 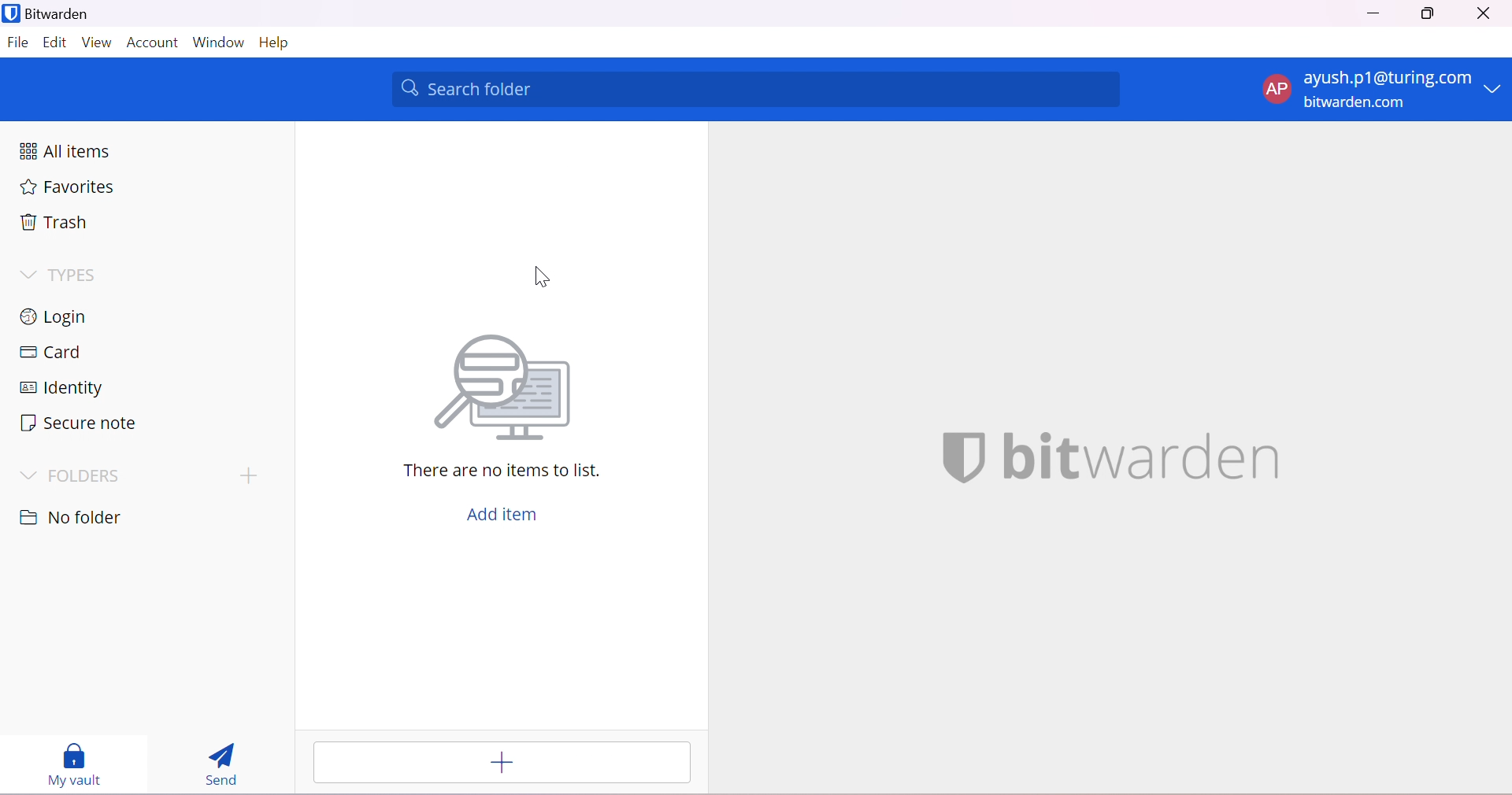 I want to click on bitwarden logo, so click(x=954, y=460).